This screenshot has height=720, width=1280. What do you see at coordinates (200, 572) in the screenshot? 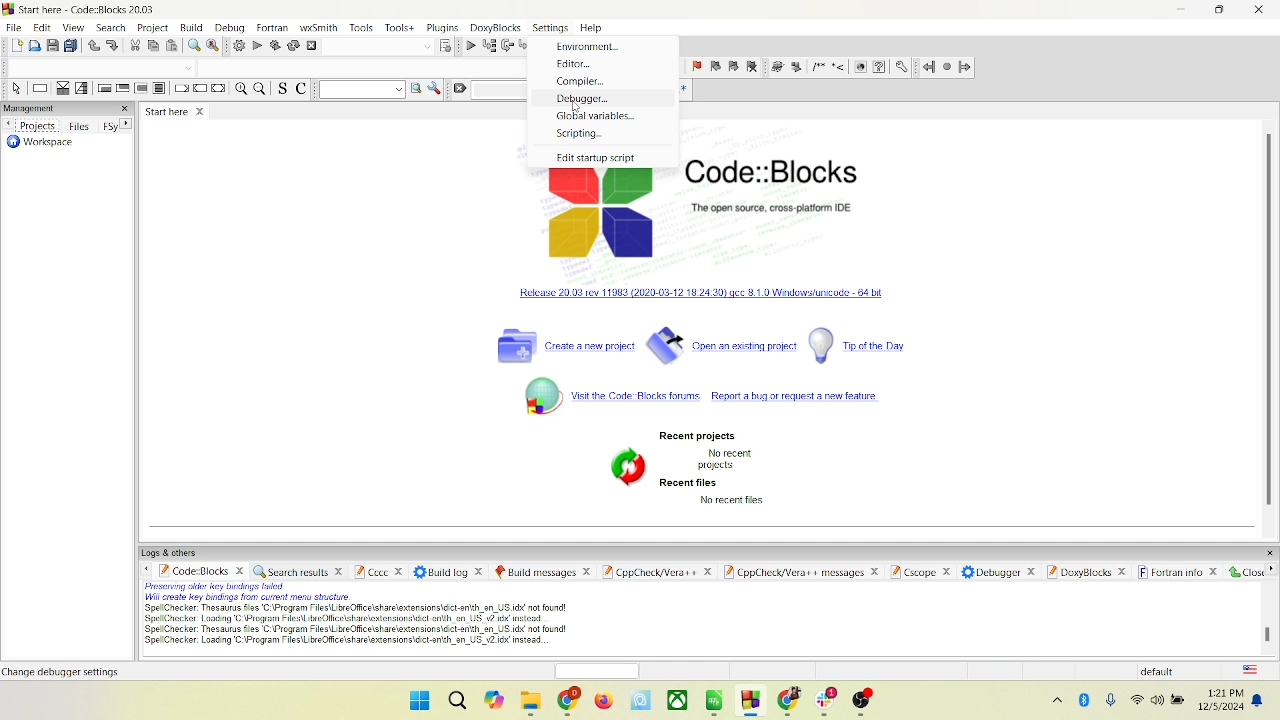
I see `code block` at bounding box center [200, 572].